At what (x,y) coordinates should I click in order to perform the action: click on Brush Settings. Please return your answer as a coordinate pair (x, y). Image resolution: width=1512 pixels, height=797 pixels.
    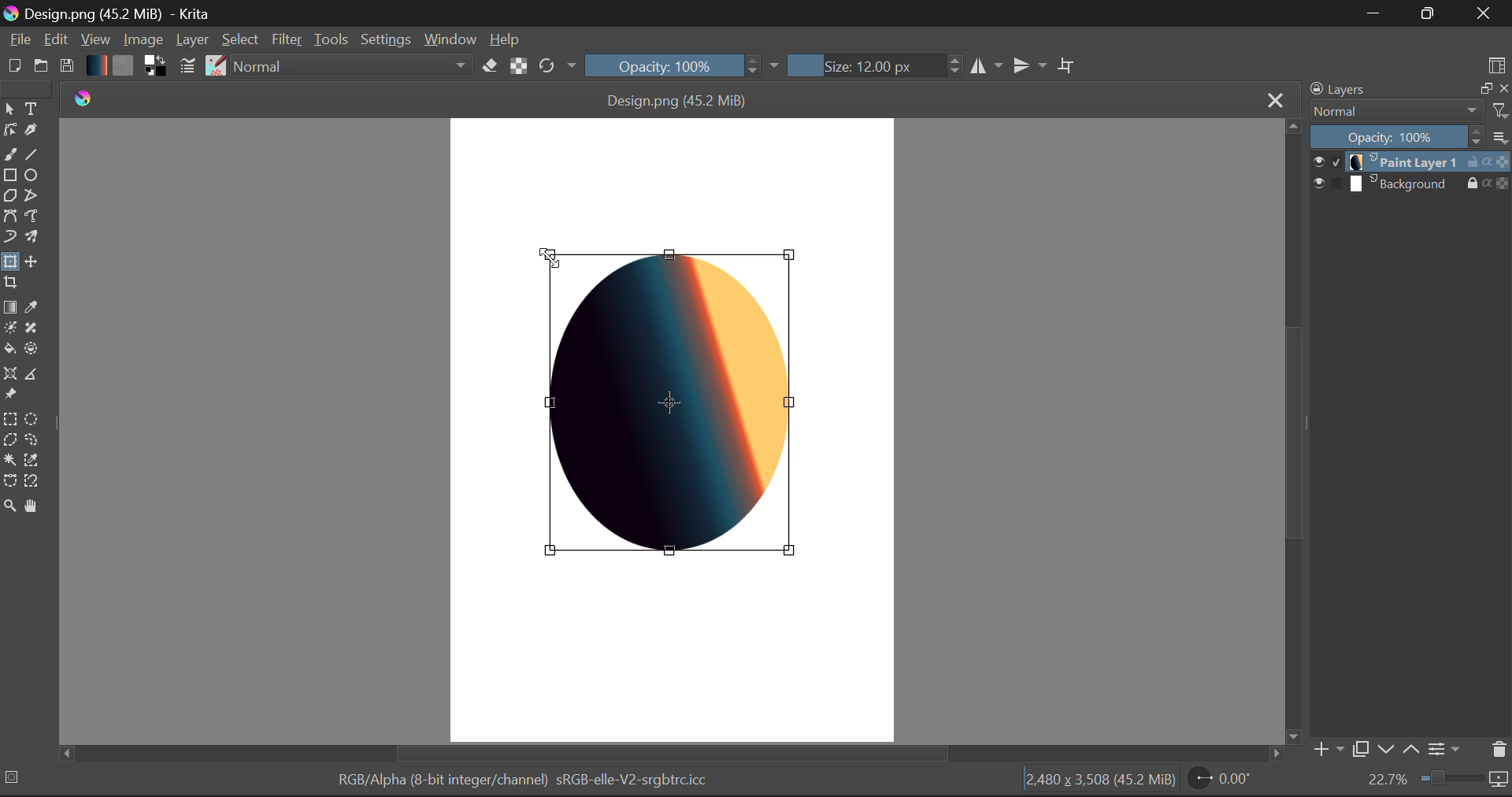
    Looking at the image, I should click on (189, 67).